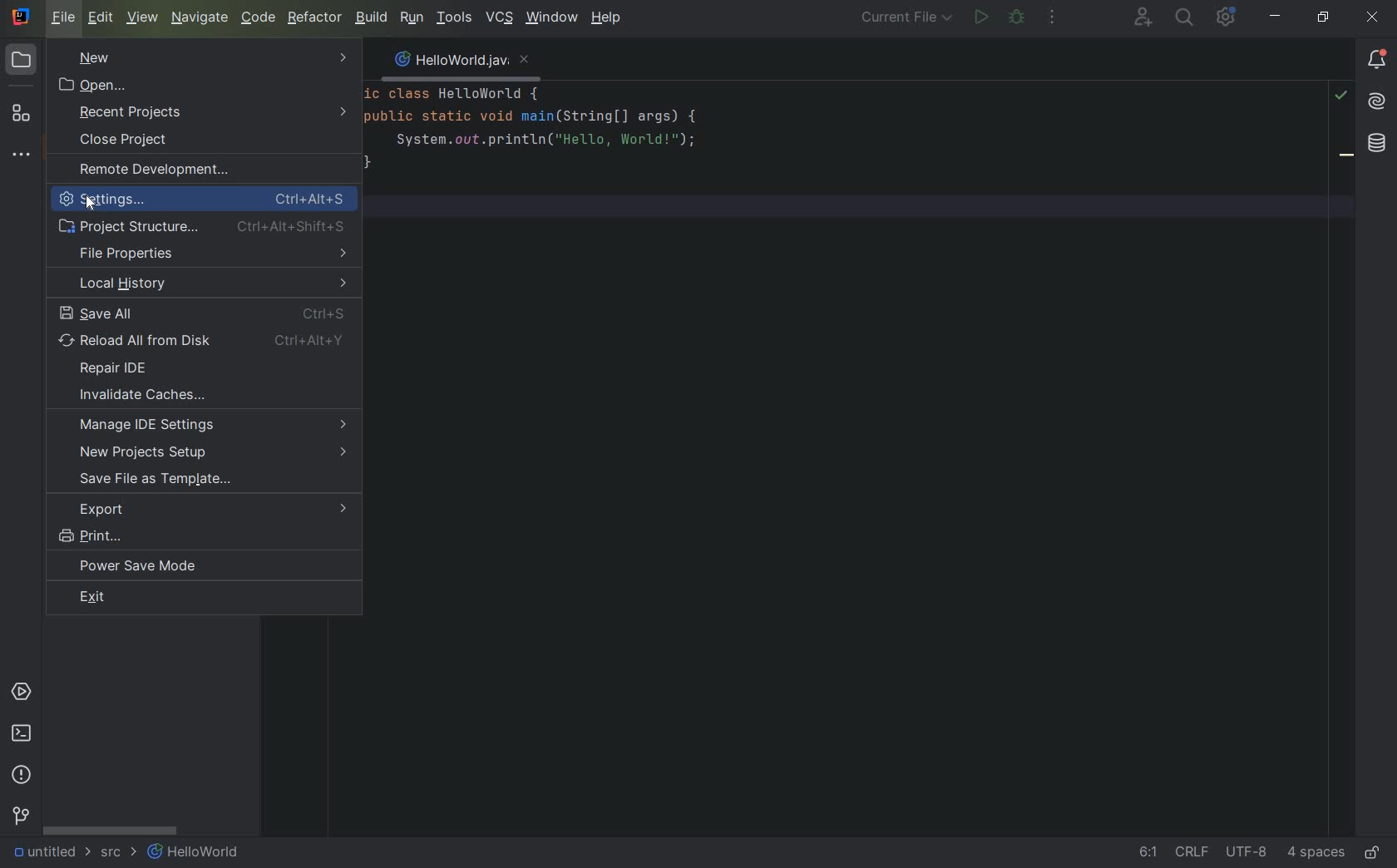  What do you see at coordinates (372, 17) in the screenshot?
I see `BUILD` at bounding box center [372, 17].